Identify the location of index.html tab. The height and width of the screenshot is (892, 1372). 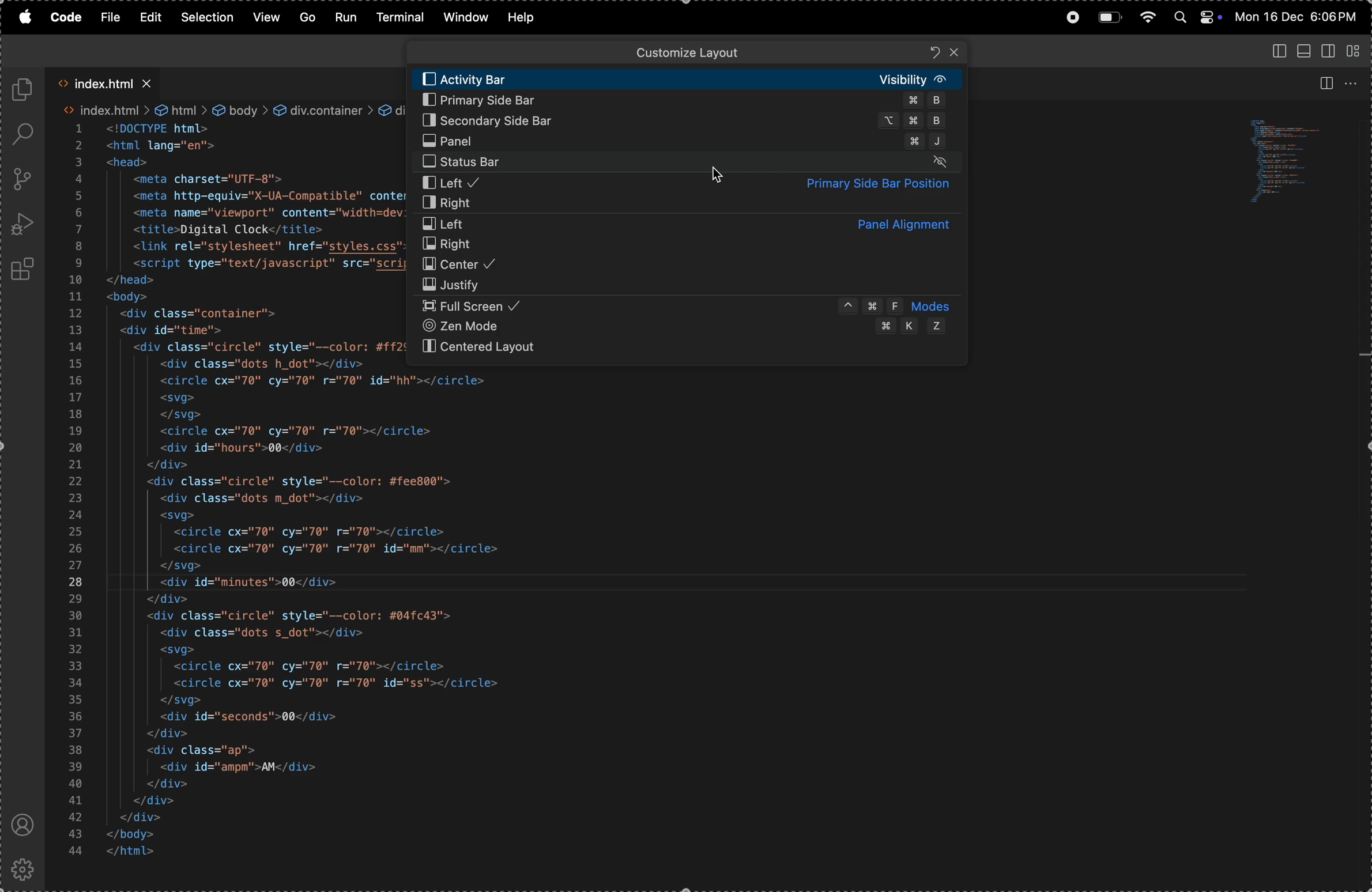
(110, 84).